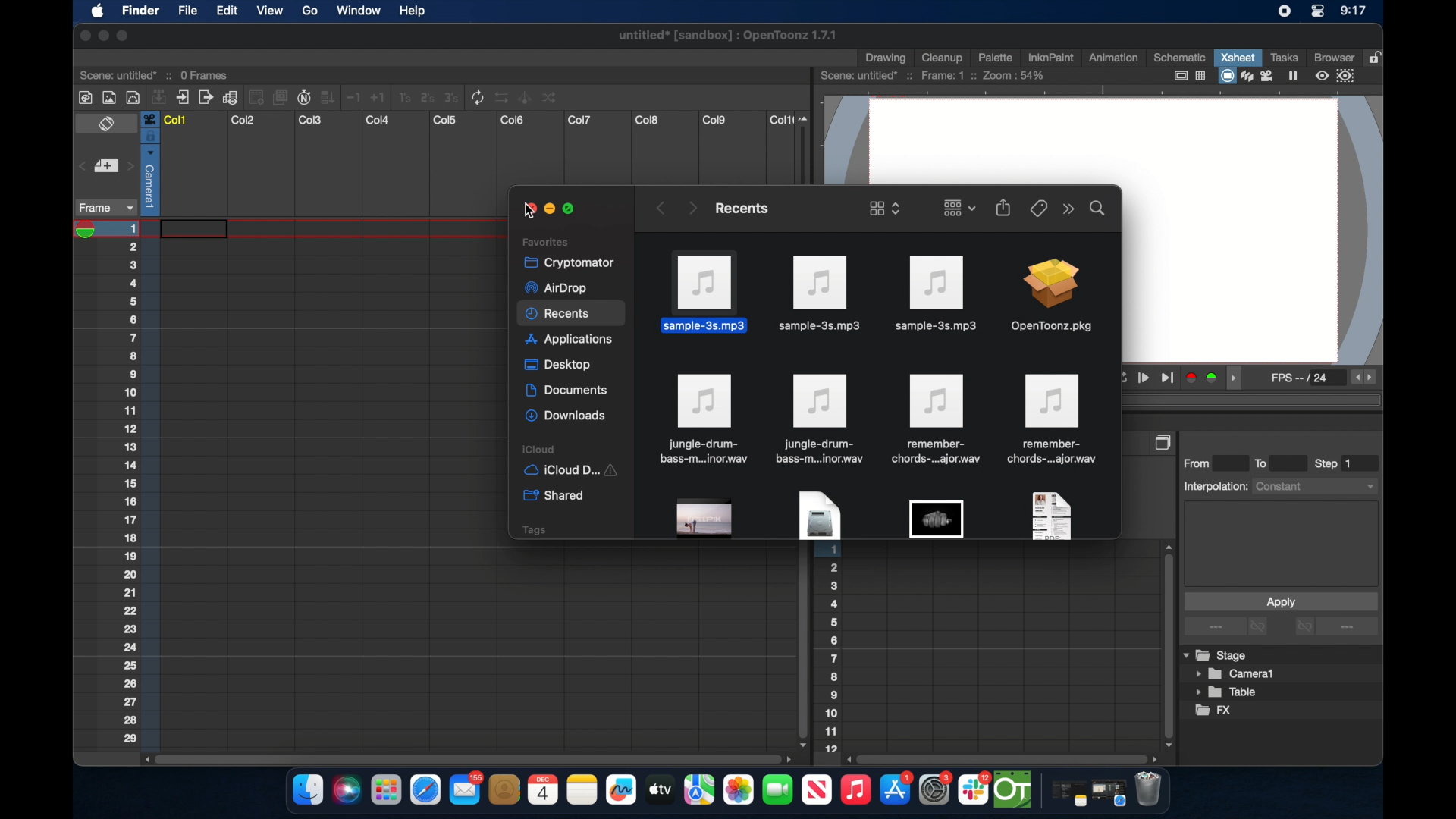 The height and width of the screenshot is (819, 1456). Describe the element at coordinates (354, 11) in the screenshot. I see `window` at that location.